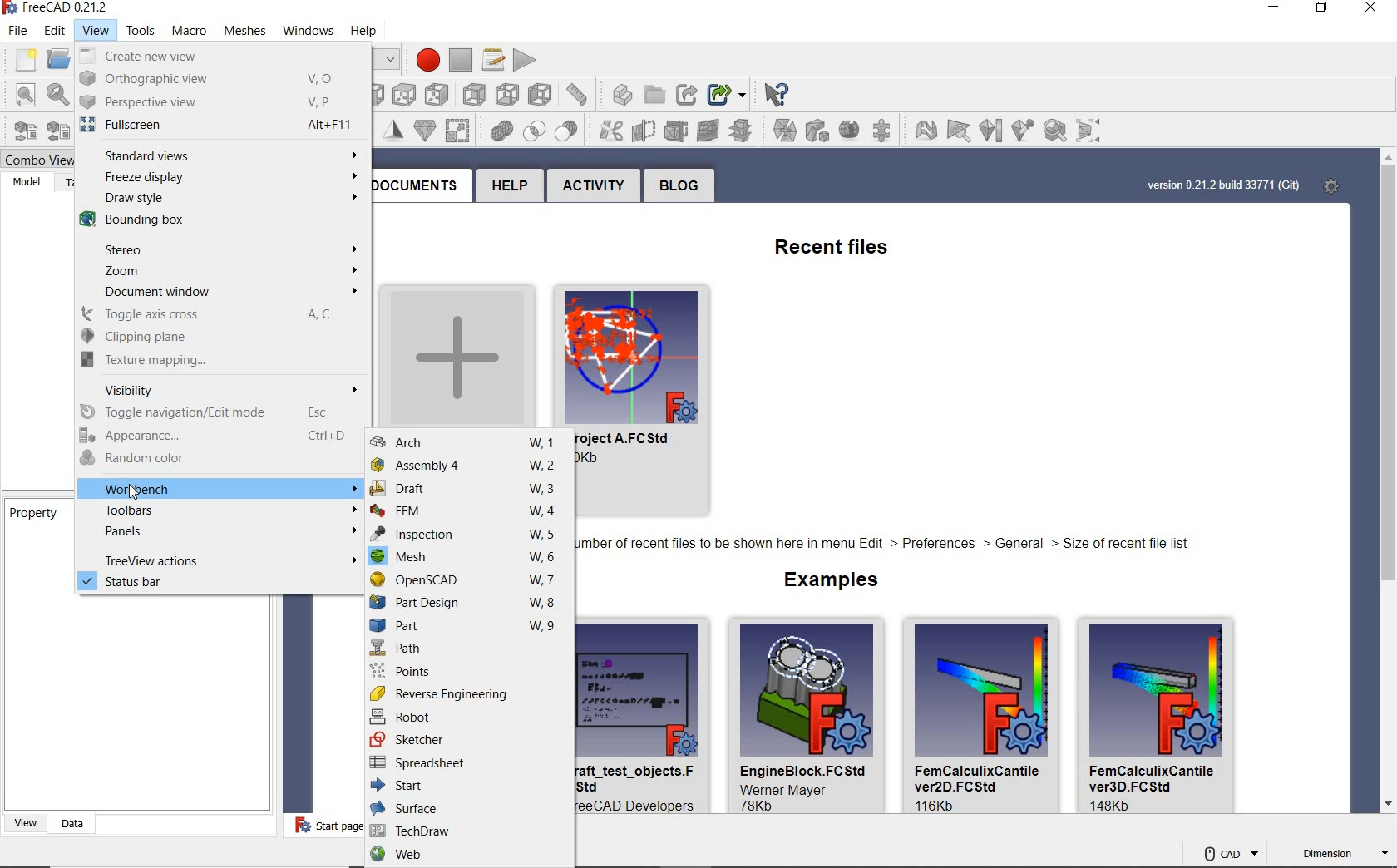  Describe the element at coordinates (783, 93) in the screenshot. I see `select` at that location.